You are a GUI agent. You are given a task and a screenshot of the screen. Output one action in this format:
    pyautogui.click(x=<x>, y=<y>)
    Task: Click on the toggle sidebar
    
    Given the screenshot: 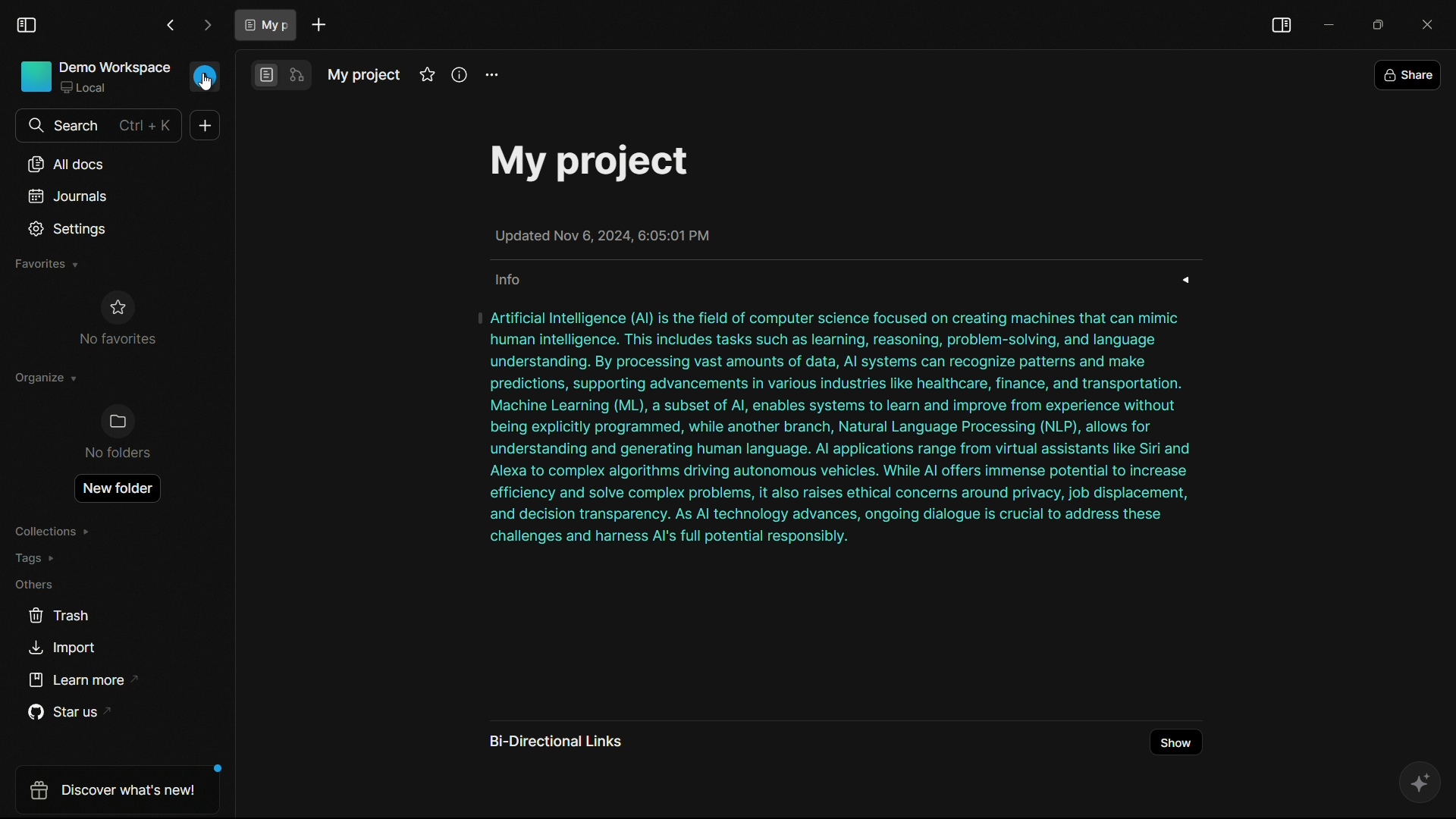 What is the action you would take?
    pyautogui.click(x=1282, y=24)
    